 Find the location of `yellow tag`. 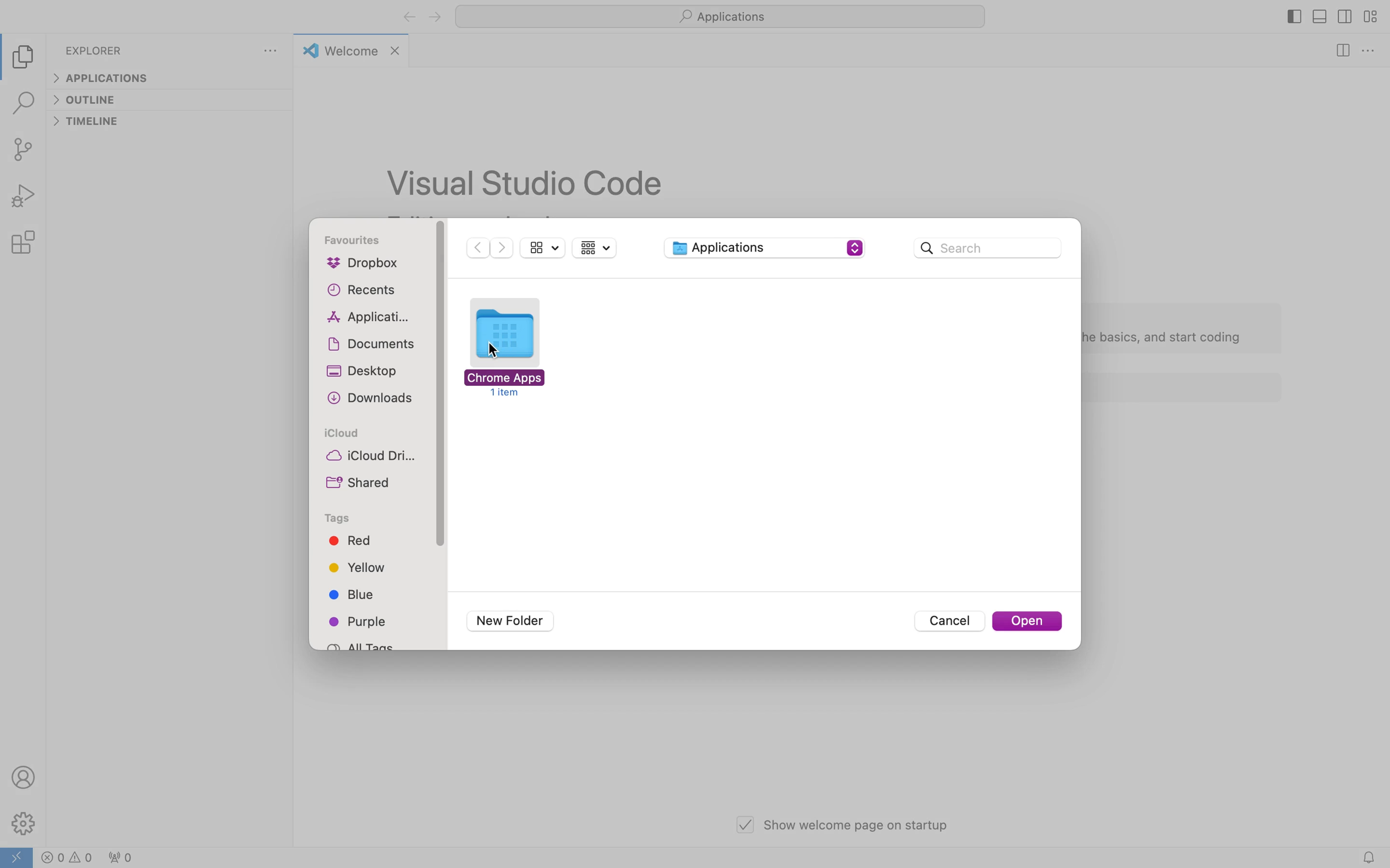

yellow tag is located at coordinates (357, 566).